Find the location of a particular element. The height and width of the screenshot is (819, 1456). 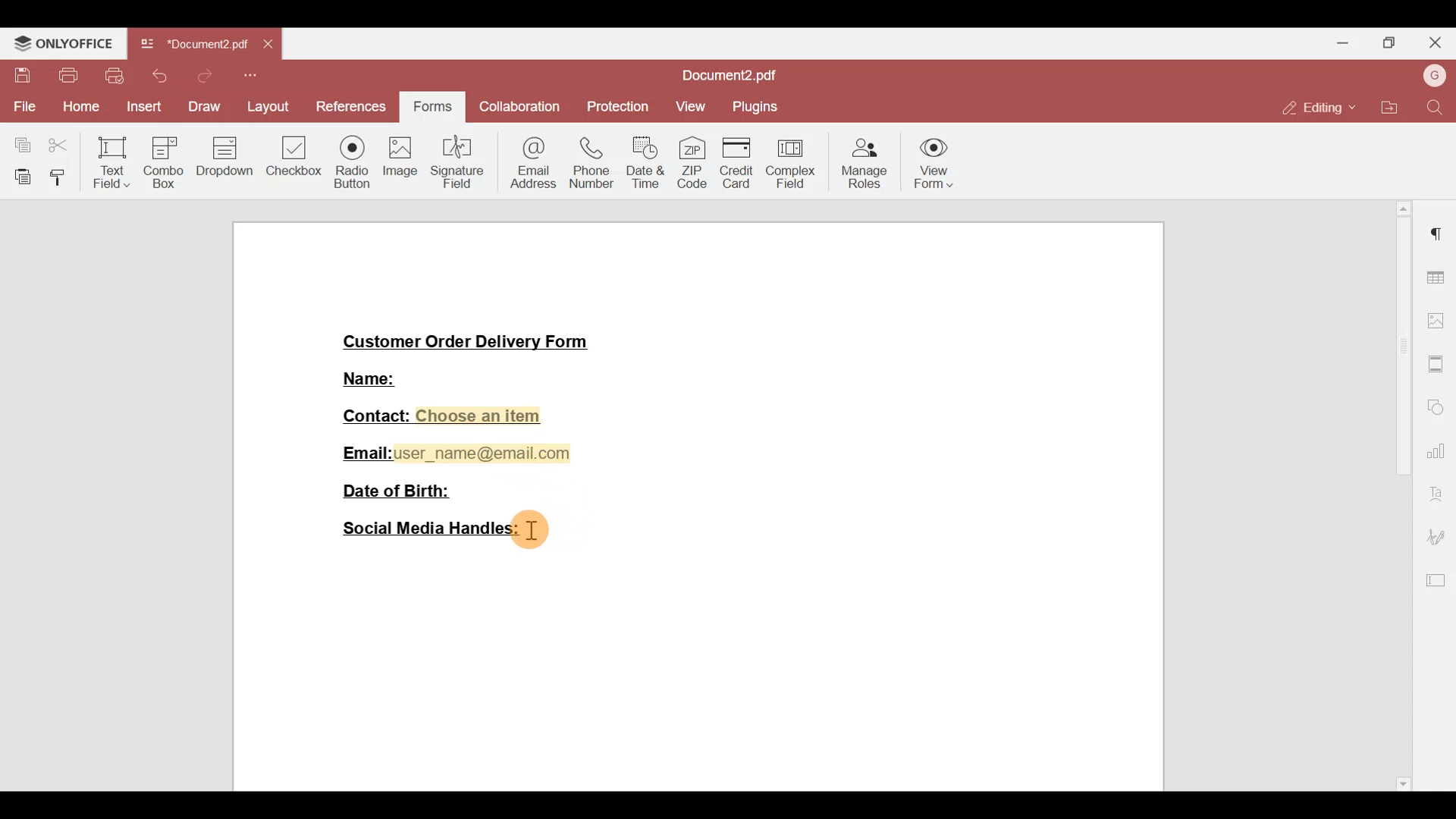

Editing mode is located at coordinates (1316, 108).